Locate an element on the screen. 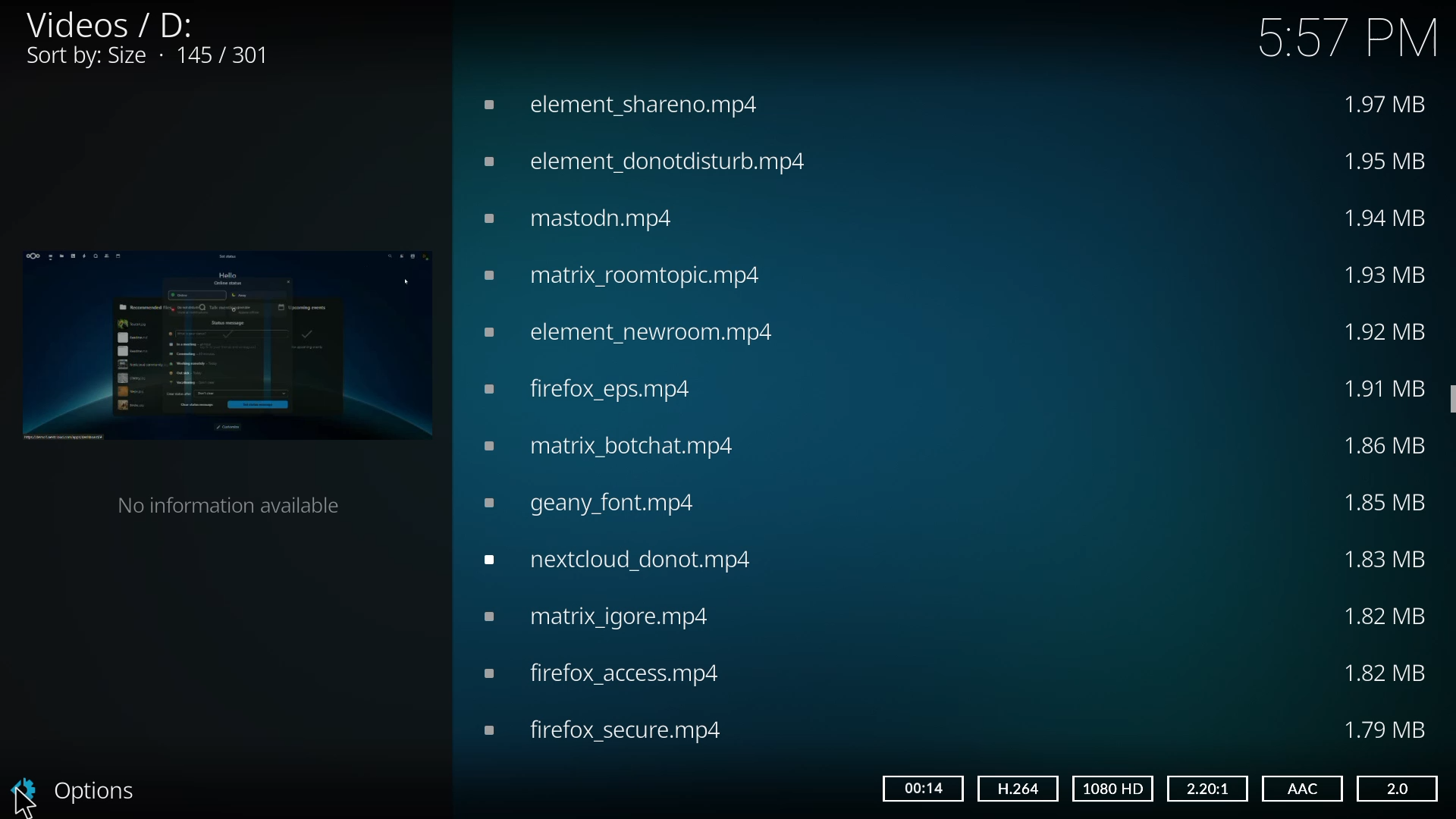 This screenshot has width=1456, height=819. video is located at coordinates (626, 558).